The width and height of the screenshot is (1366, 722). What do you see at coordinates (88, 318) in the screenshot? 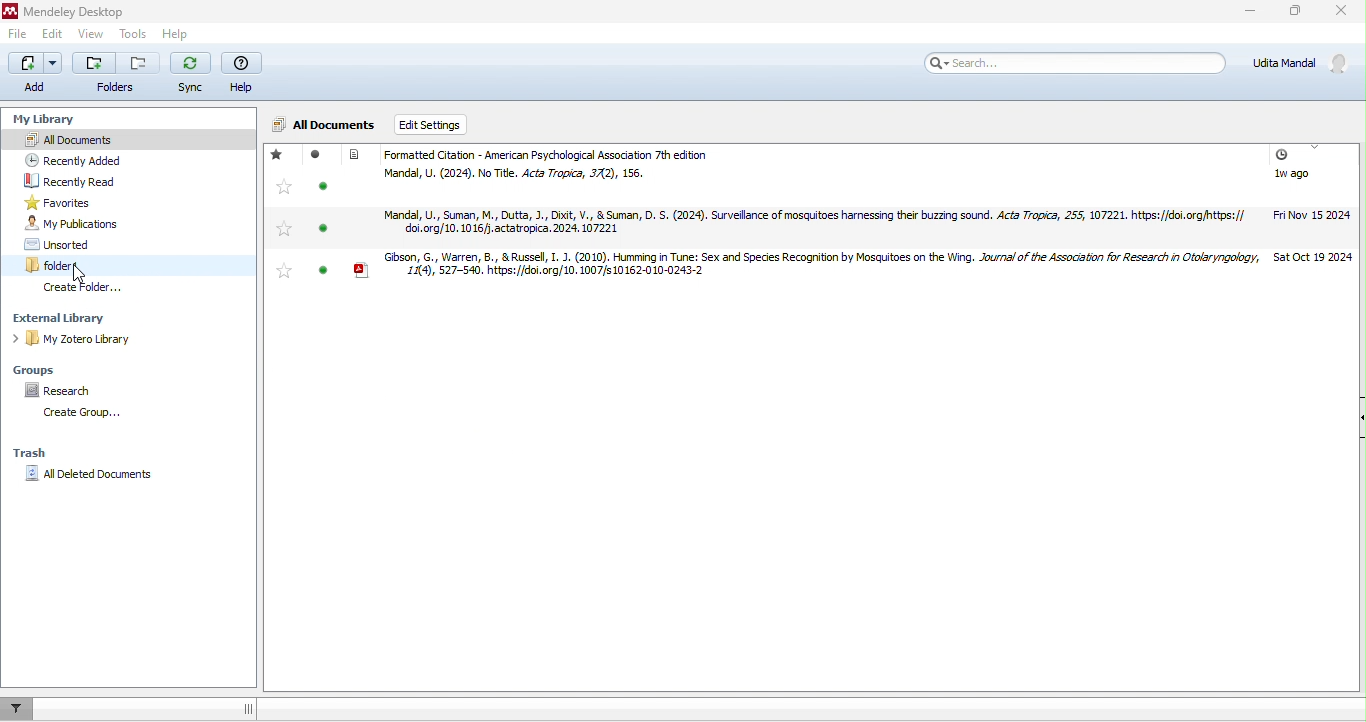
I see `external library` at bounding box center [88, 318].